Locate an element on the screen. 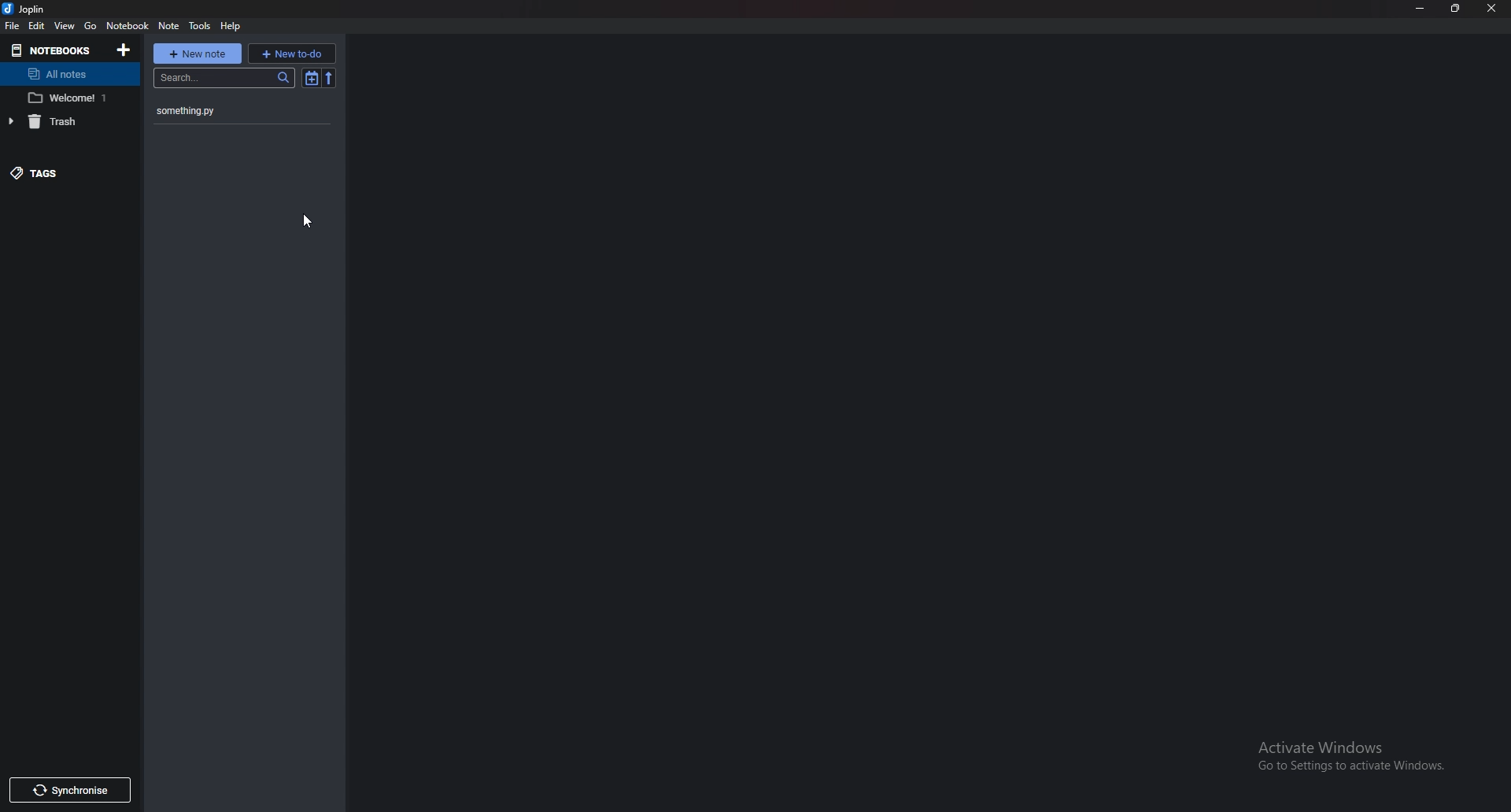  Reverse sort order is located at coordinates (329, 78).